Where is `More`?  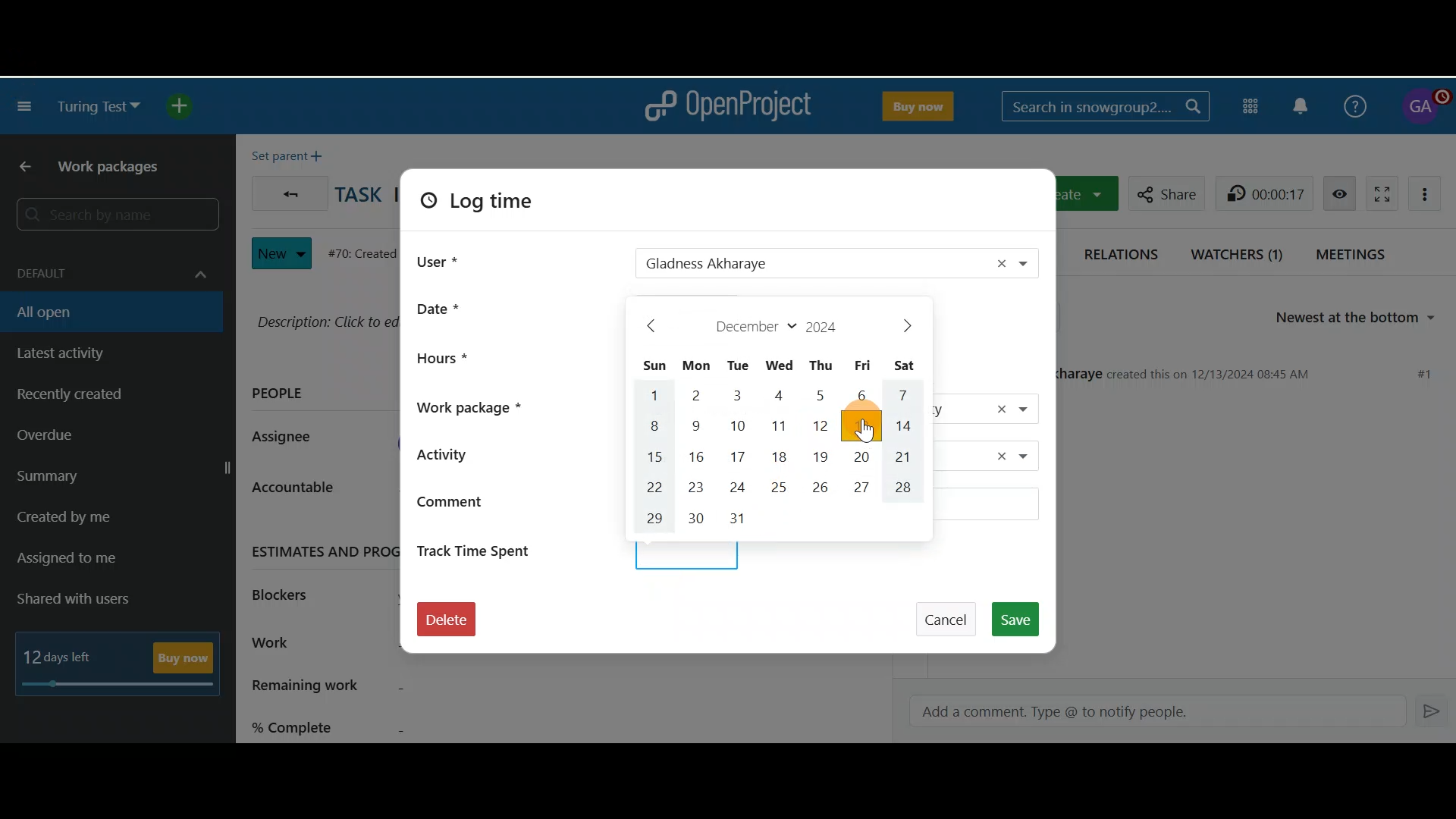
More is located at coordinates (1429, 192).